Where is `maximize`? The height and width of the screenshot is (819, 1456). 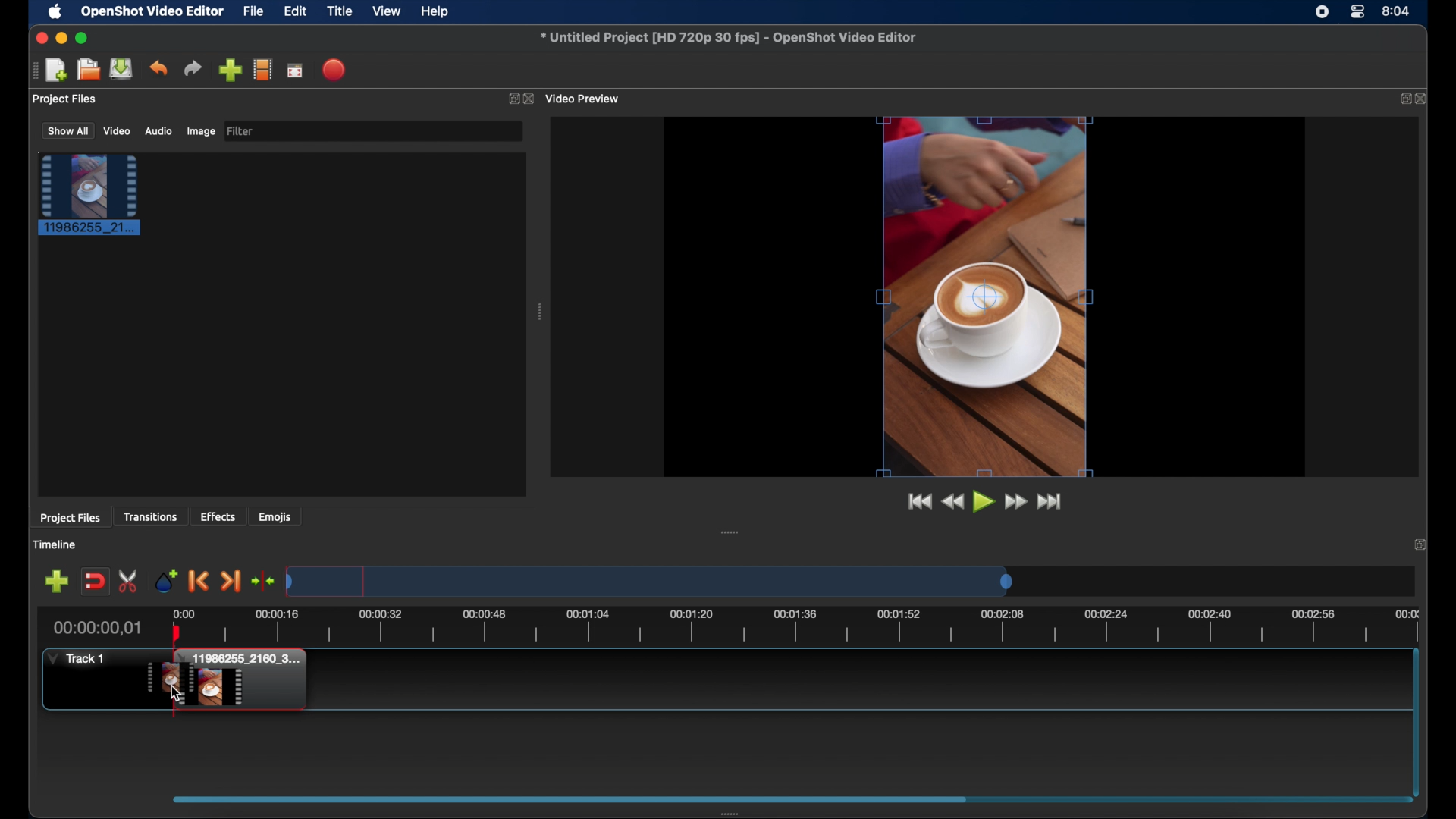
maximize is located at coordinates (83, 38).